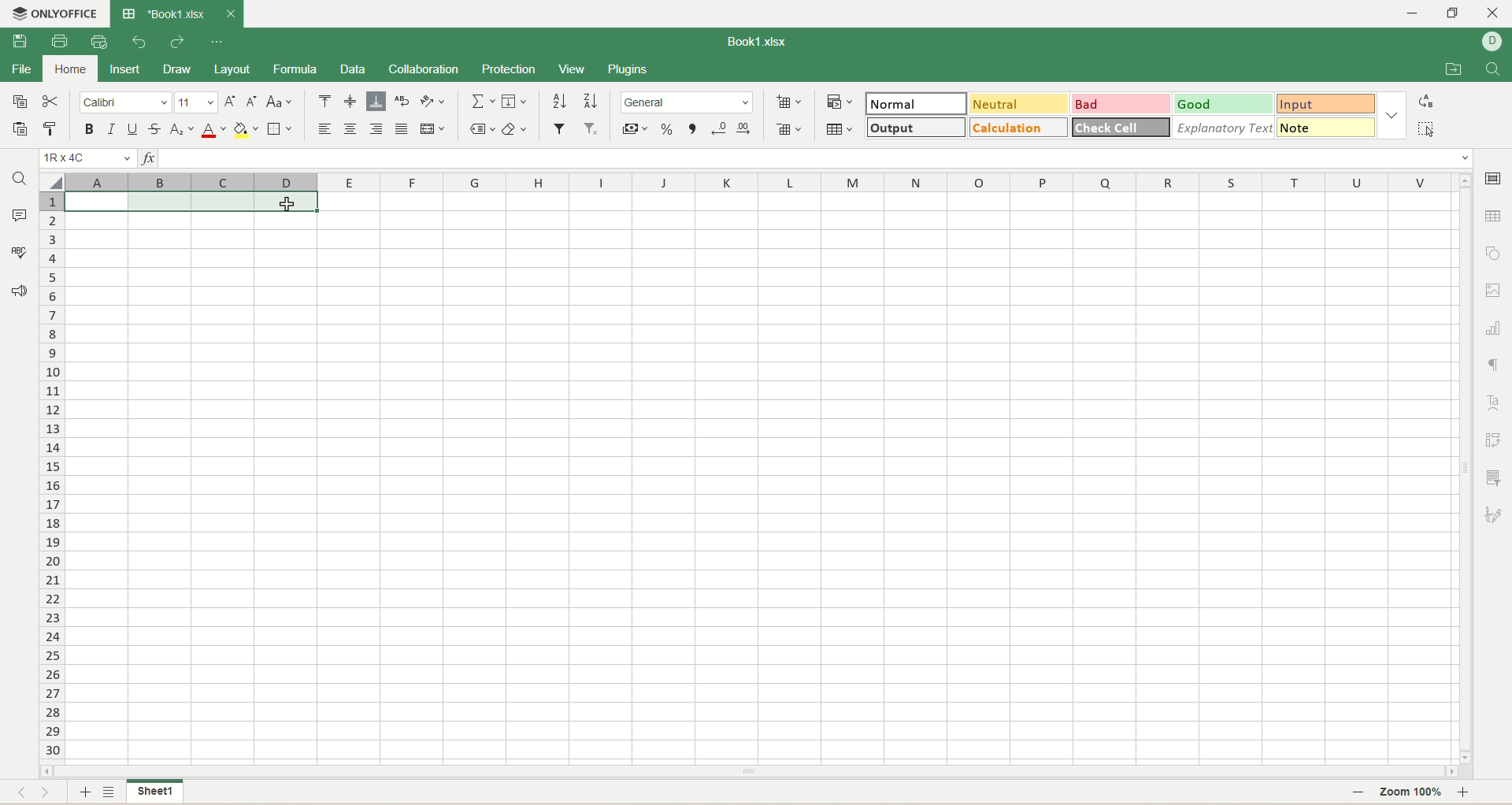 The height and width of the screenshot is (805, 1512). I want to click on insert cell, so click(789, 103).